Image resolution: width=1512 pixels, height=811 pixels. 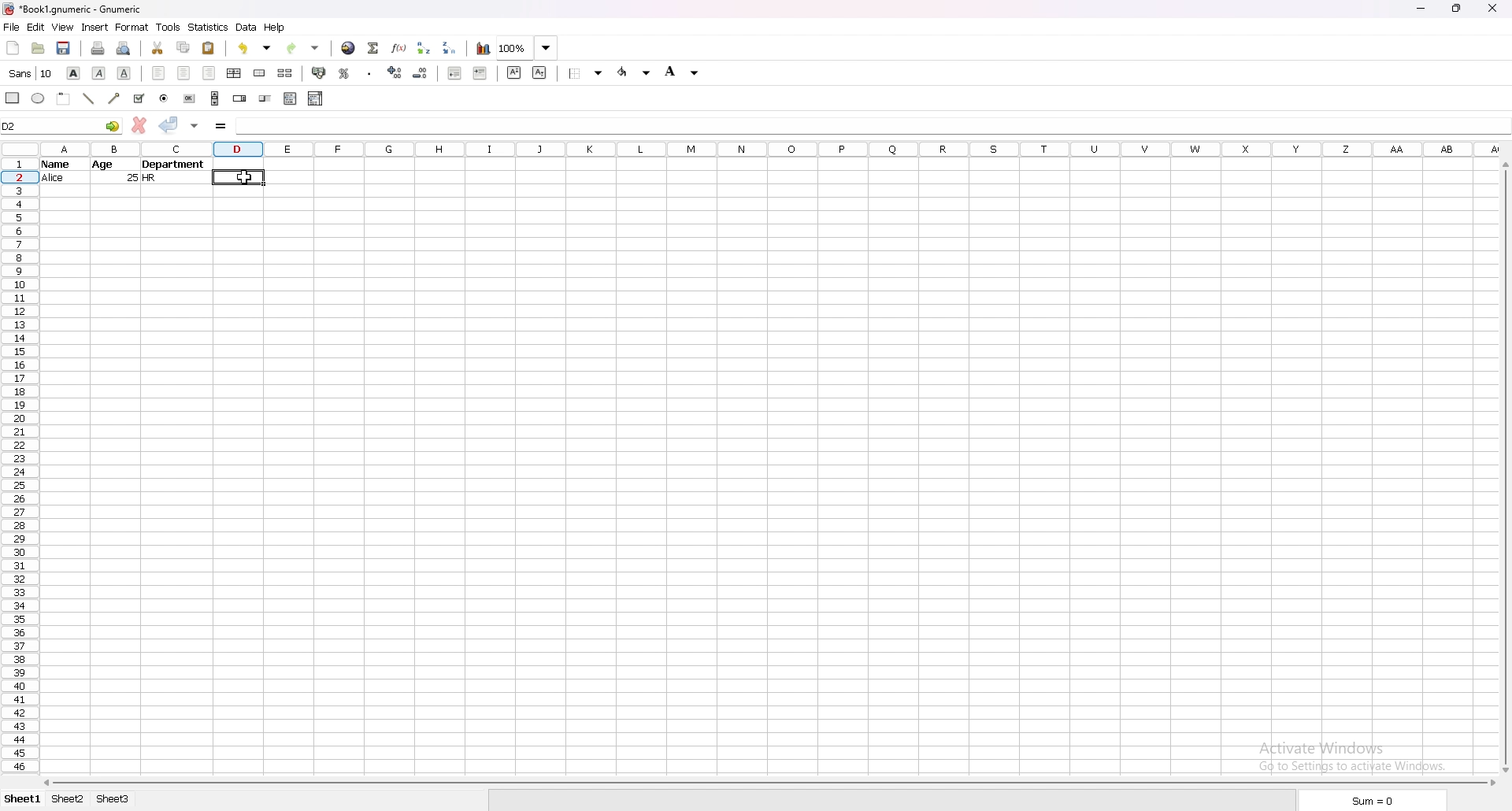 I want to click on accept changes in all cells, so click(x=194, y=126).